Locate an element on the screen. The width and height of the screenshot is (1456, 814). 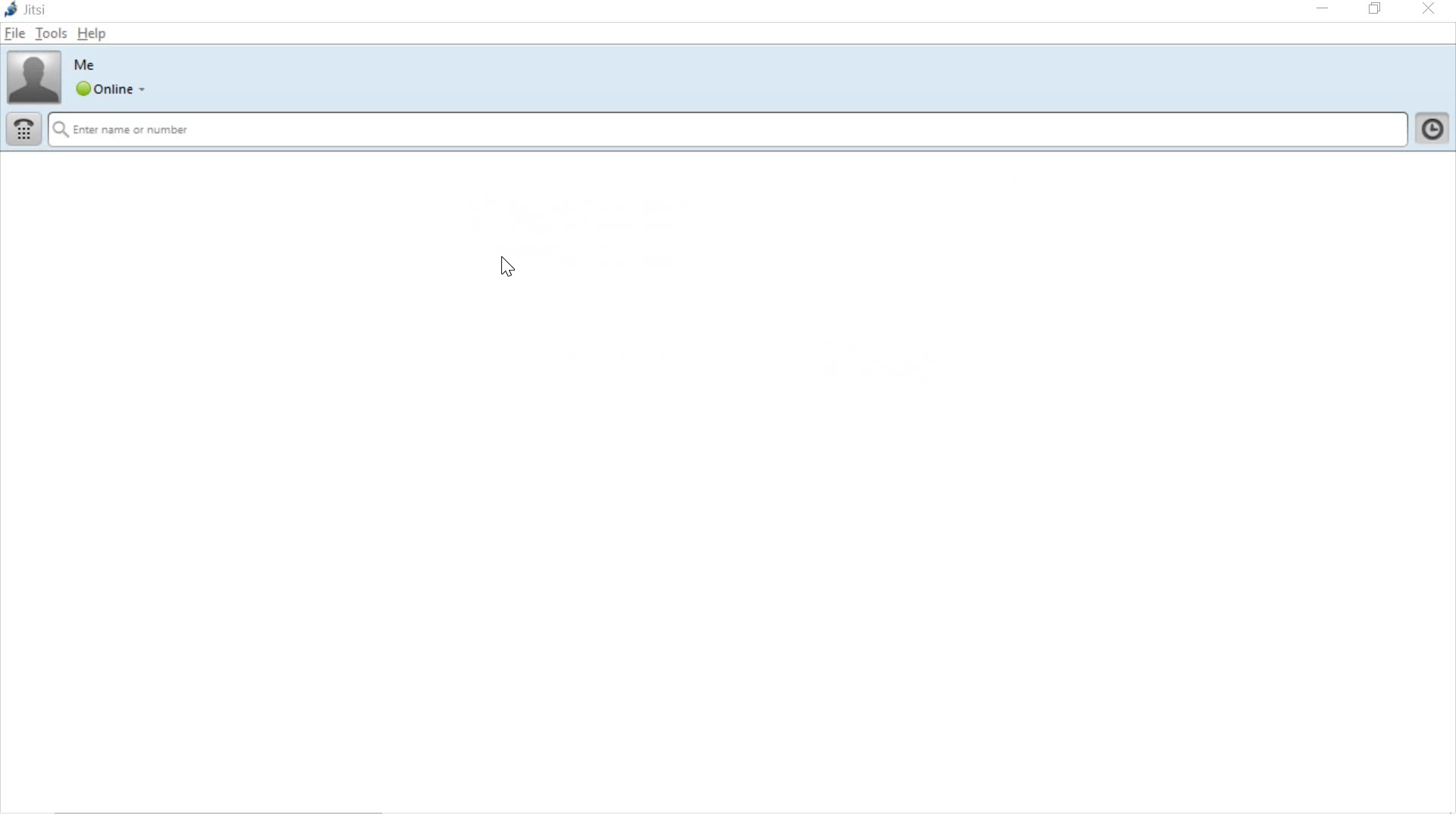
file is located at coordinates (14, 33).